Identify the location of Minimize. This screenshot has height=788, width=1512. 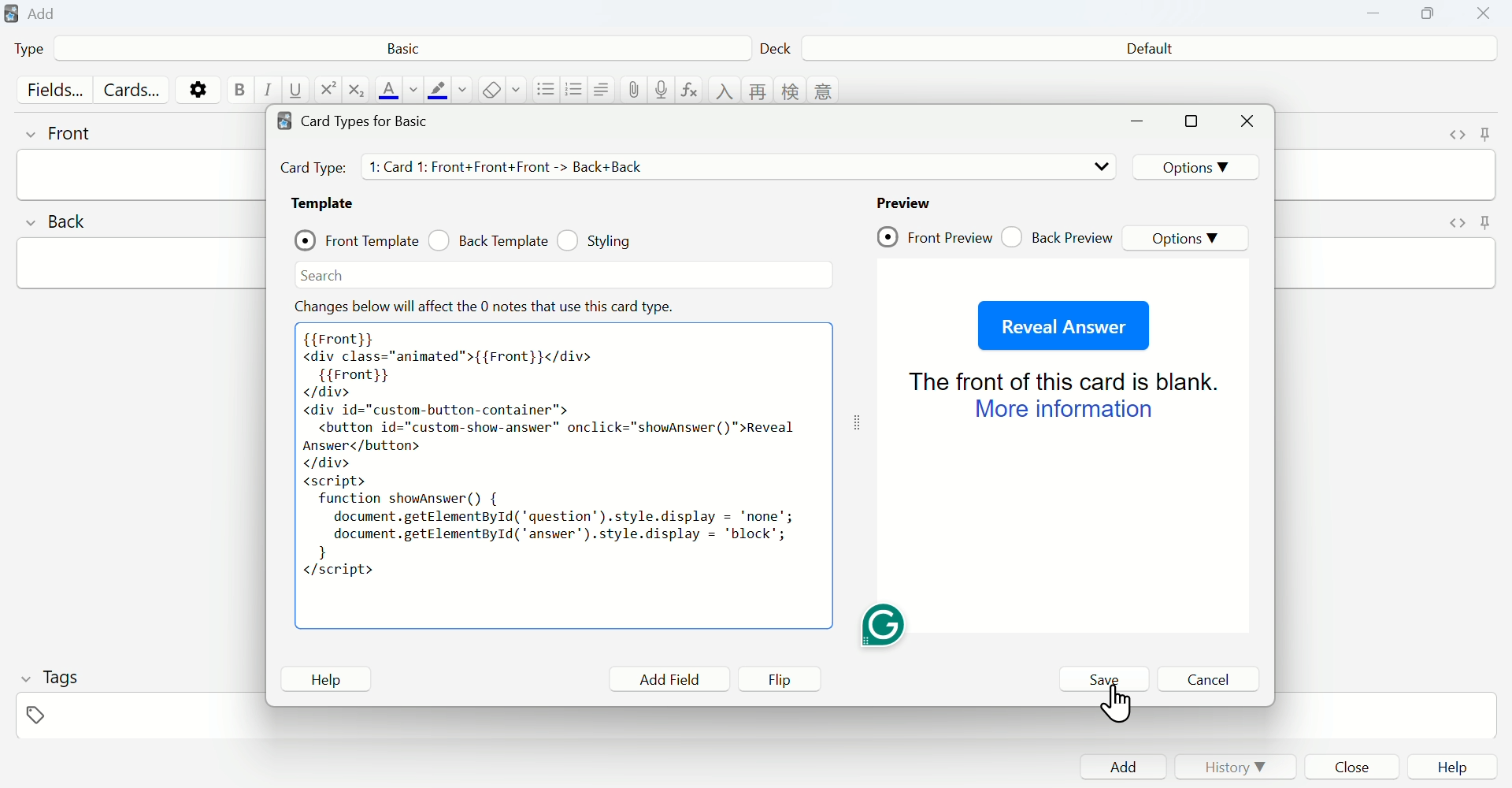
(1380, 17).